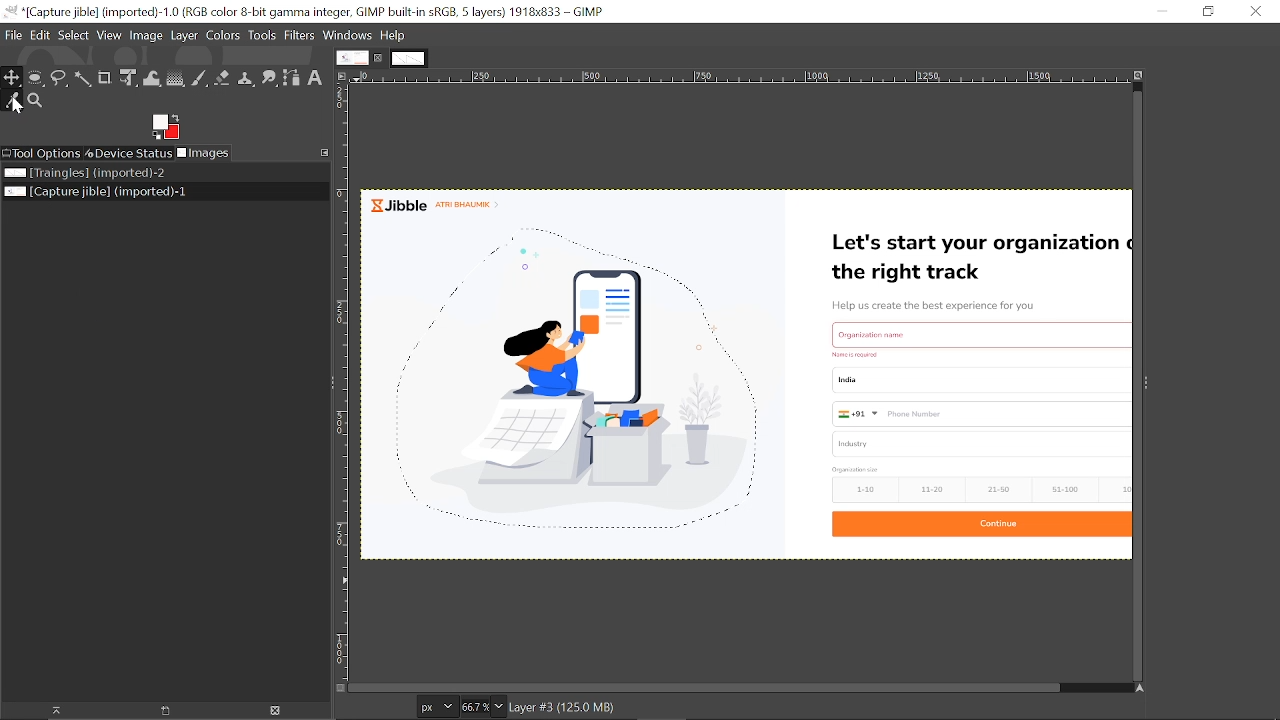 The width and height of the screenshot is (1280, 720). I want to click on Text tool, so click(315, 78).